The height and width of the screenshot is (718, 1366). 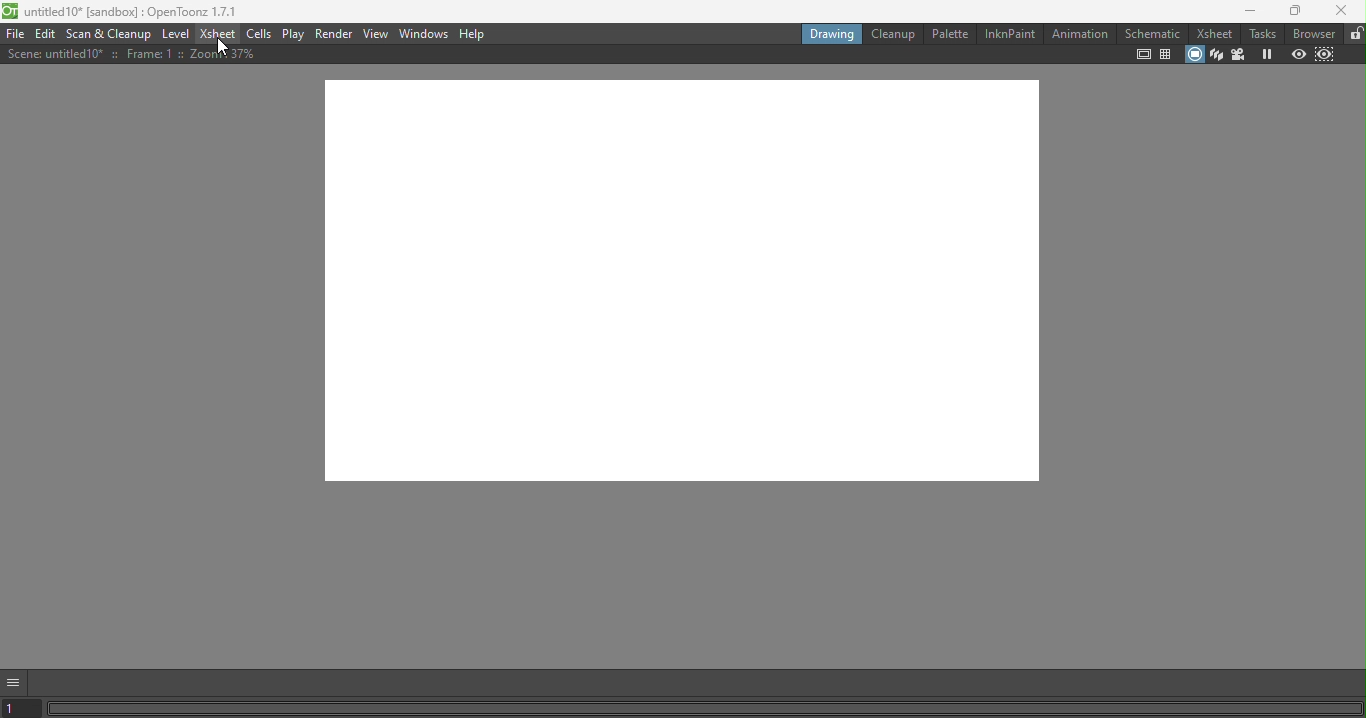 What do you see at coordinates (892, 34) in the screenshot?
I see `Cleanup` at bounding box center [892, 34].